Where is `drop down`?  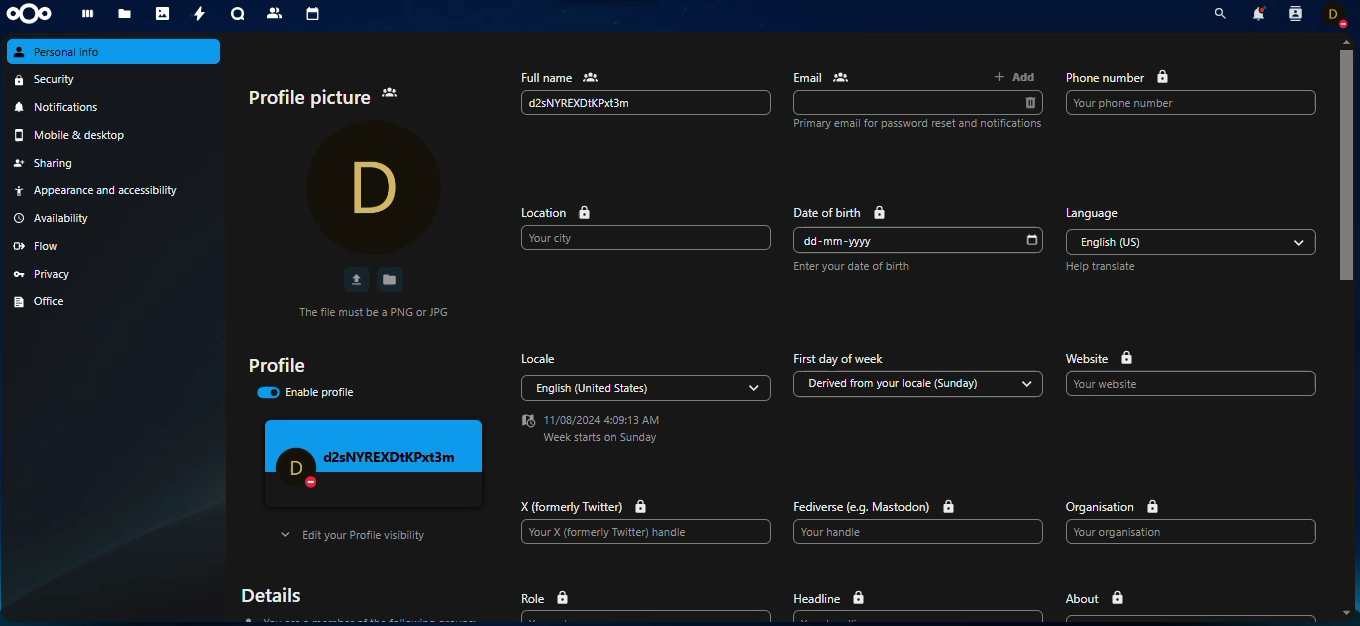
drop down is located at coordinates (1028, 384).